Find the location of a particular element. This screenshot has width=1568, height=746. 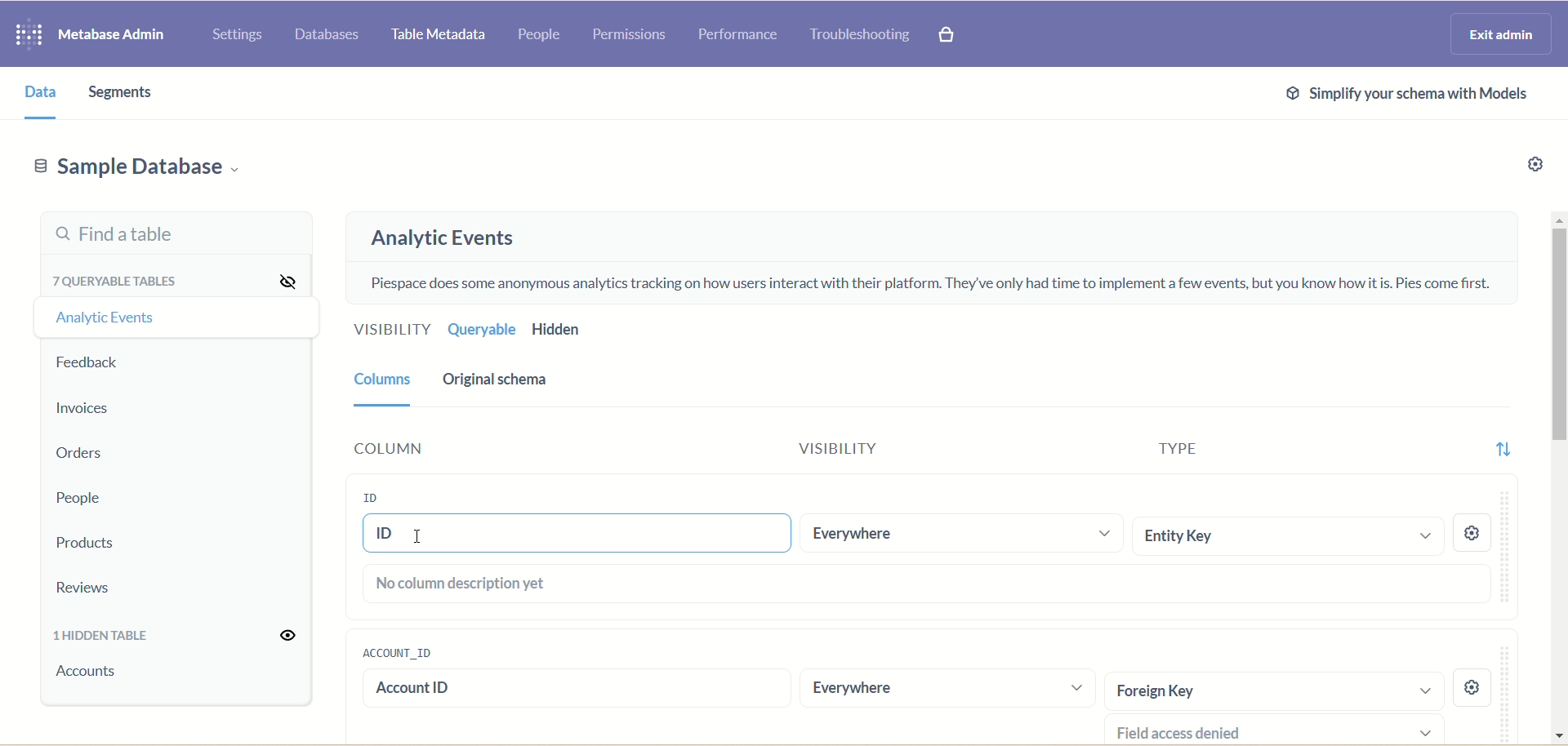

Reviews is located at coordinates (106, 584).